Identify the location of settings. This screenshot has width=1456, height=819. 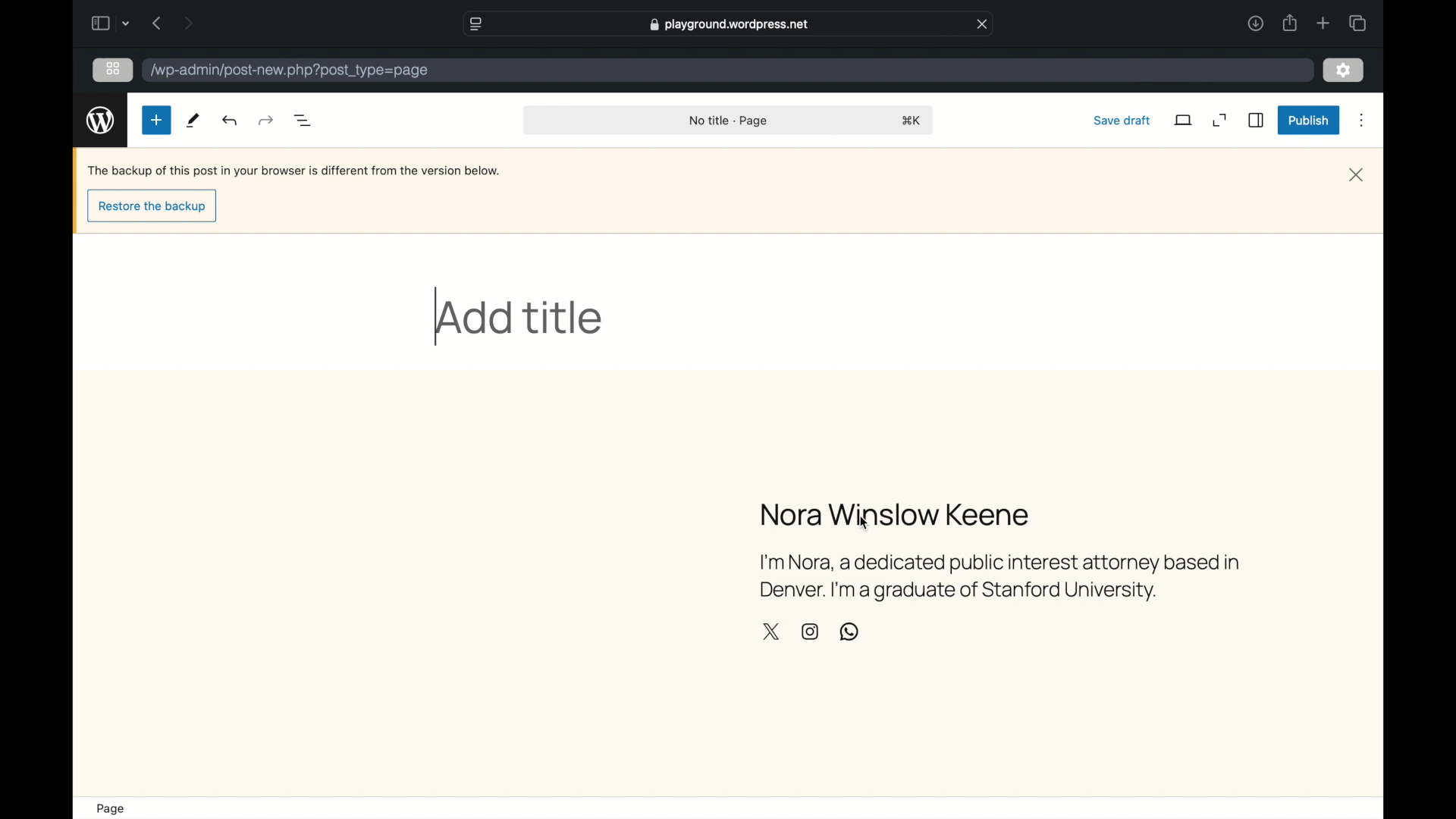
(1344, 71).